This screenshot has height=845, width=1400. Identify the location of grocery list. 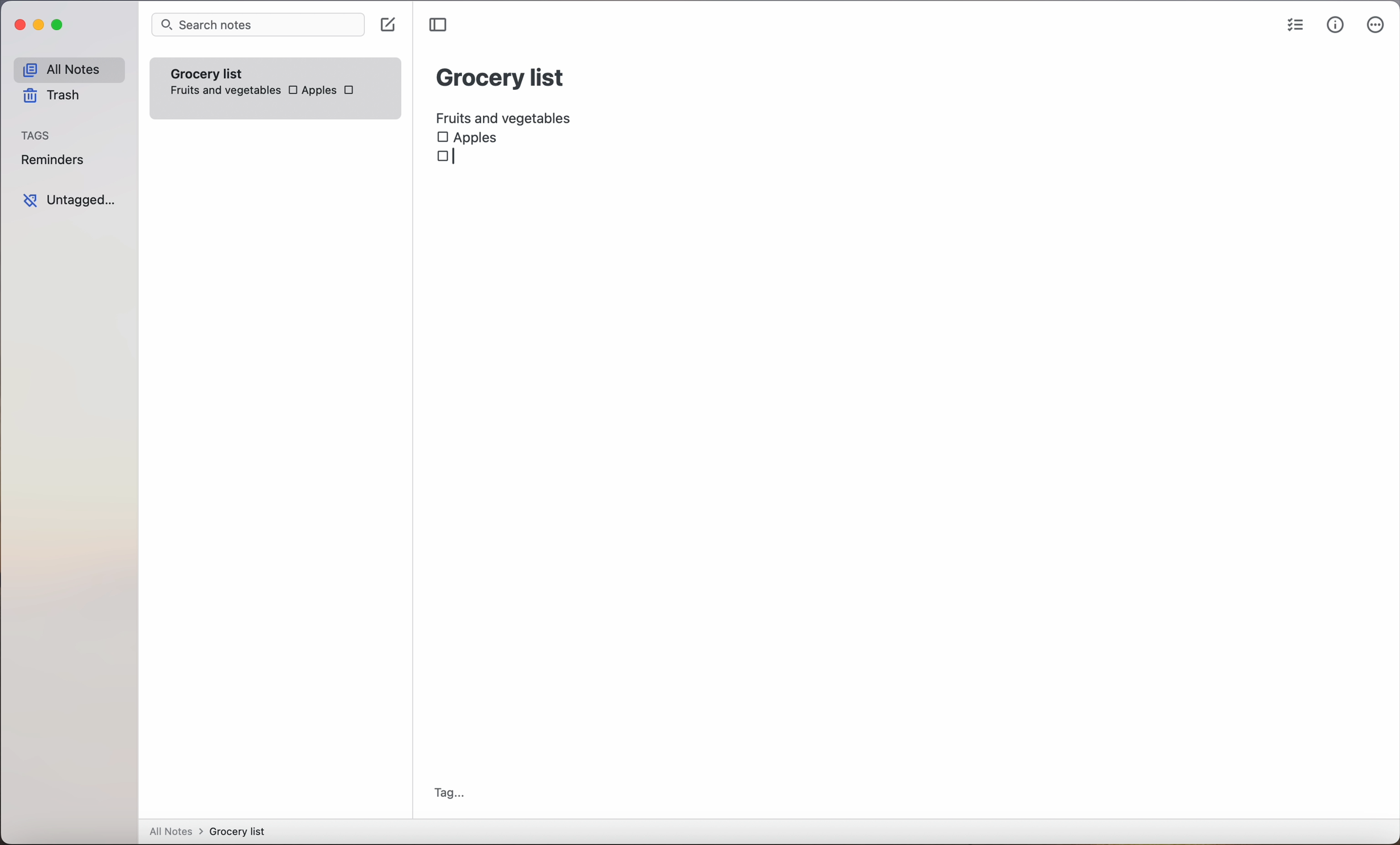
(501, 76).